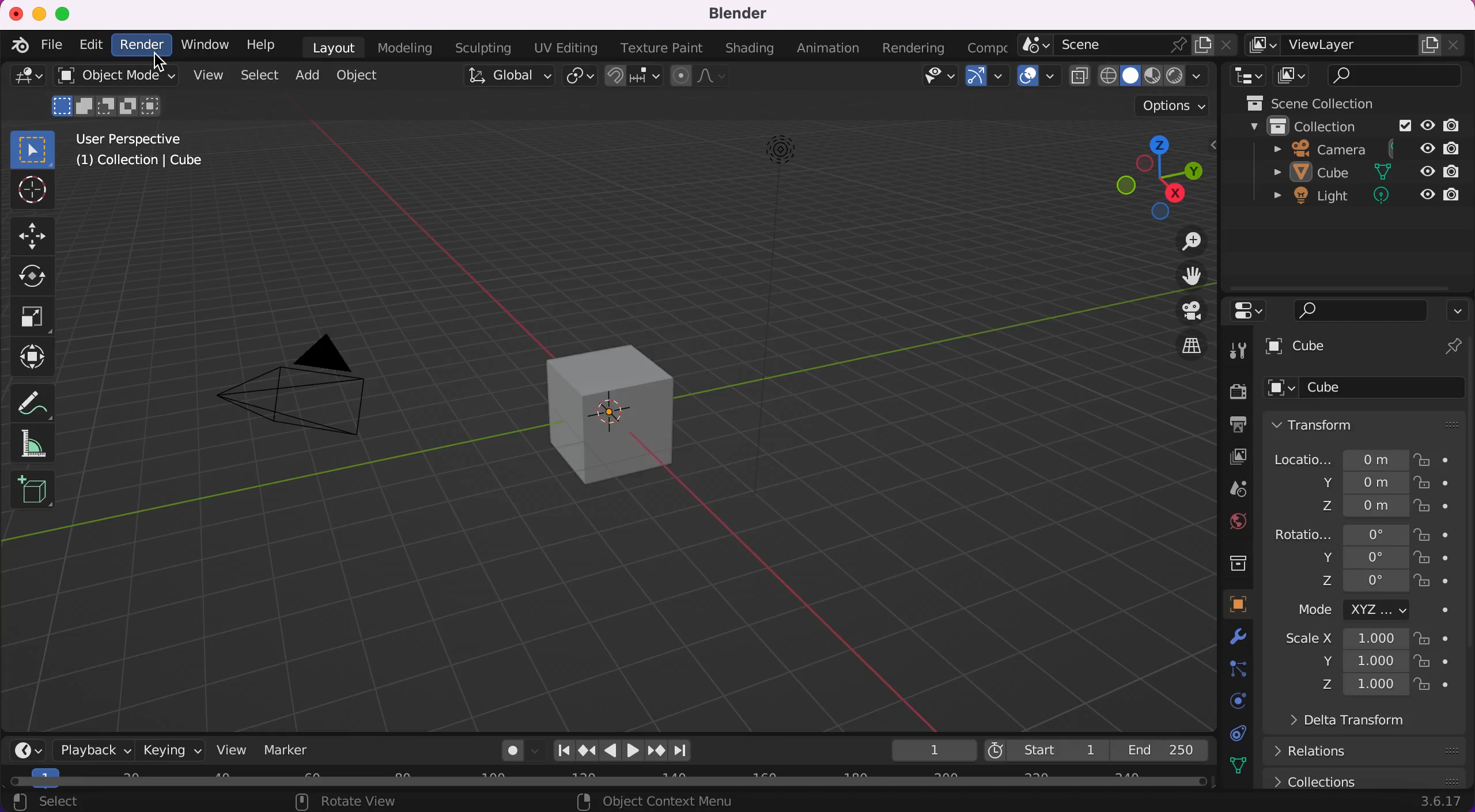  Describe the element at coordinates (1427, 191) in the screenshot. I see `hide in viewport` at that location.